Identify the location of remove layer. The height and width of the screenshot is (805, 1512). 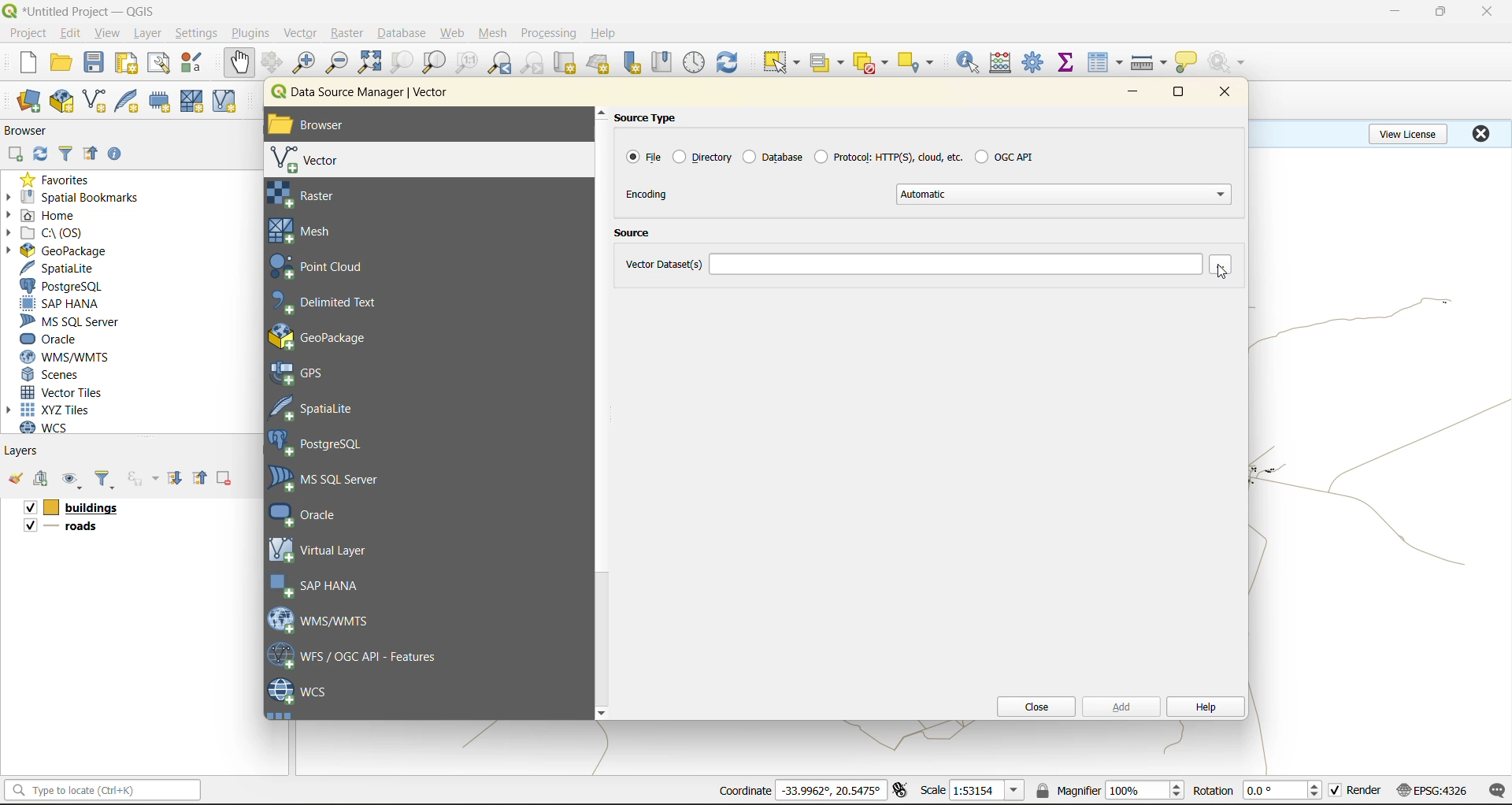
(226, 478).